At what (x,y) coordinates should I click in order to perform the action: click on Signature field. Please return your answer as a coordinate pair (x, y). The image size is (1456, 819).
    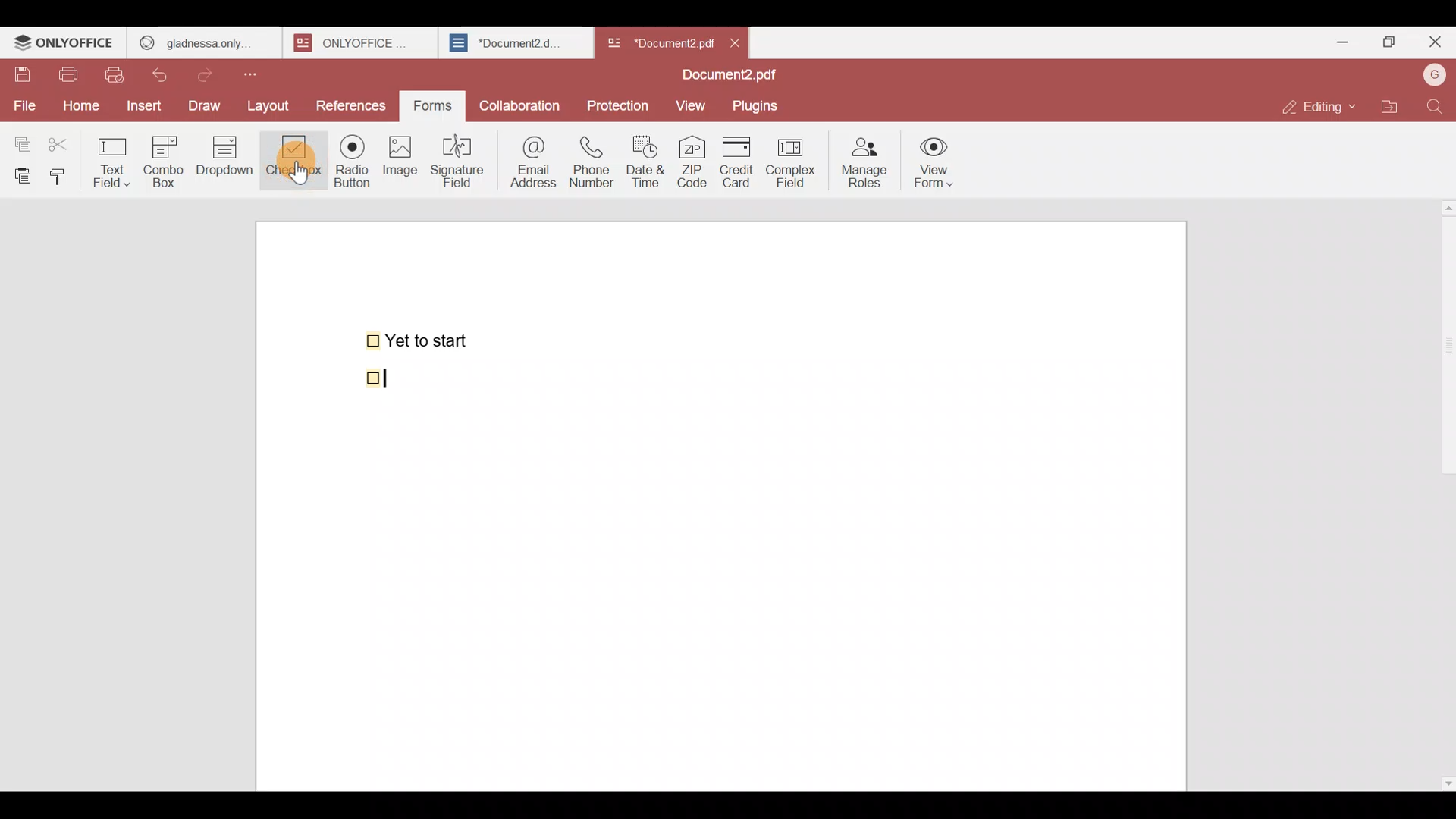
    Looking at the image, I should click on (462, 159).